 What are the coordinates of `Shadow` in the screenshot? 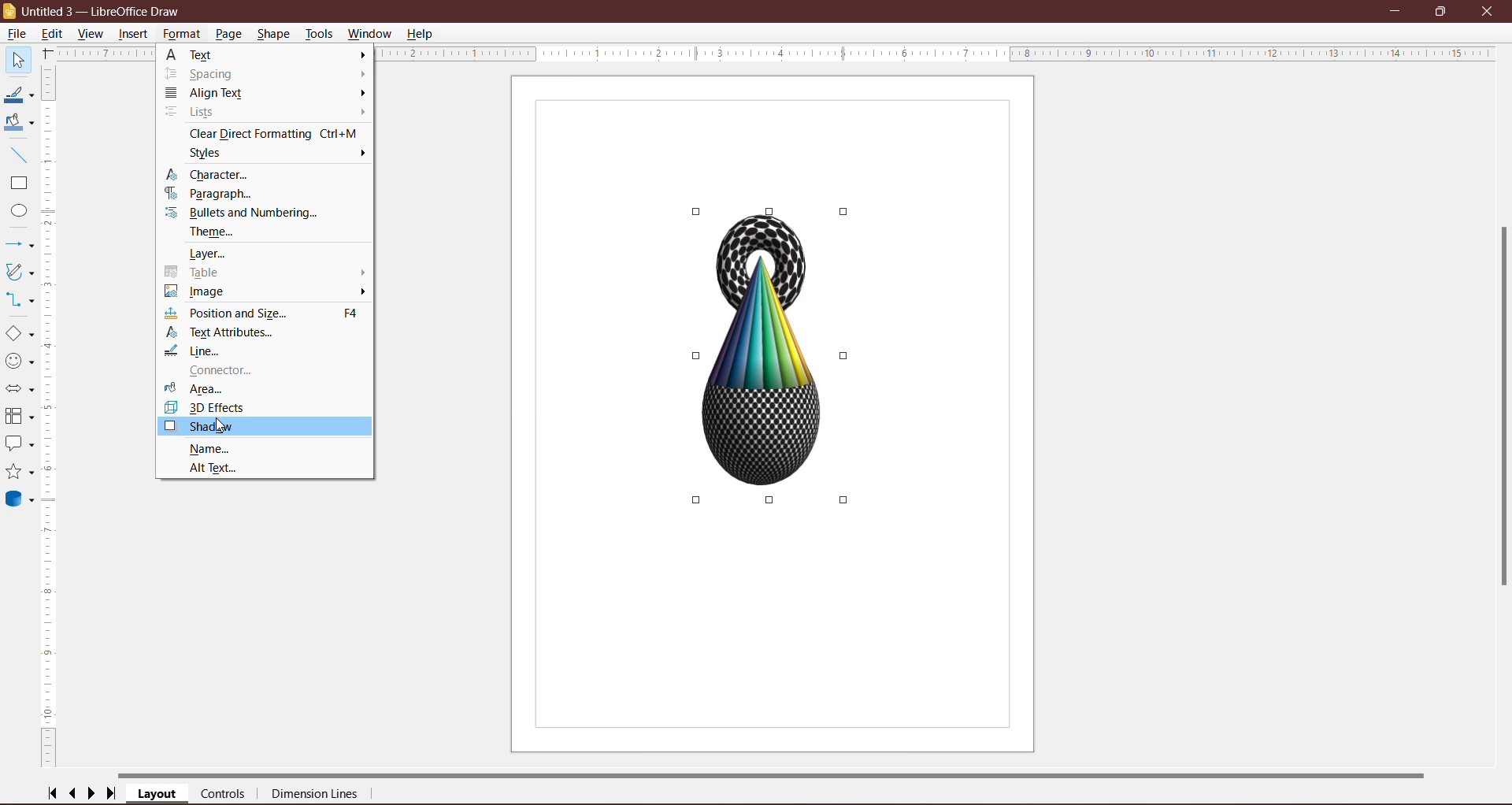 It's located at (265, 427).